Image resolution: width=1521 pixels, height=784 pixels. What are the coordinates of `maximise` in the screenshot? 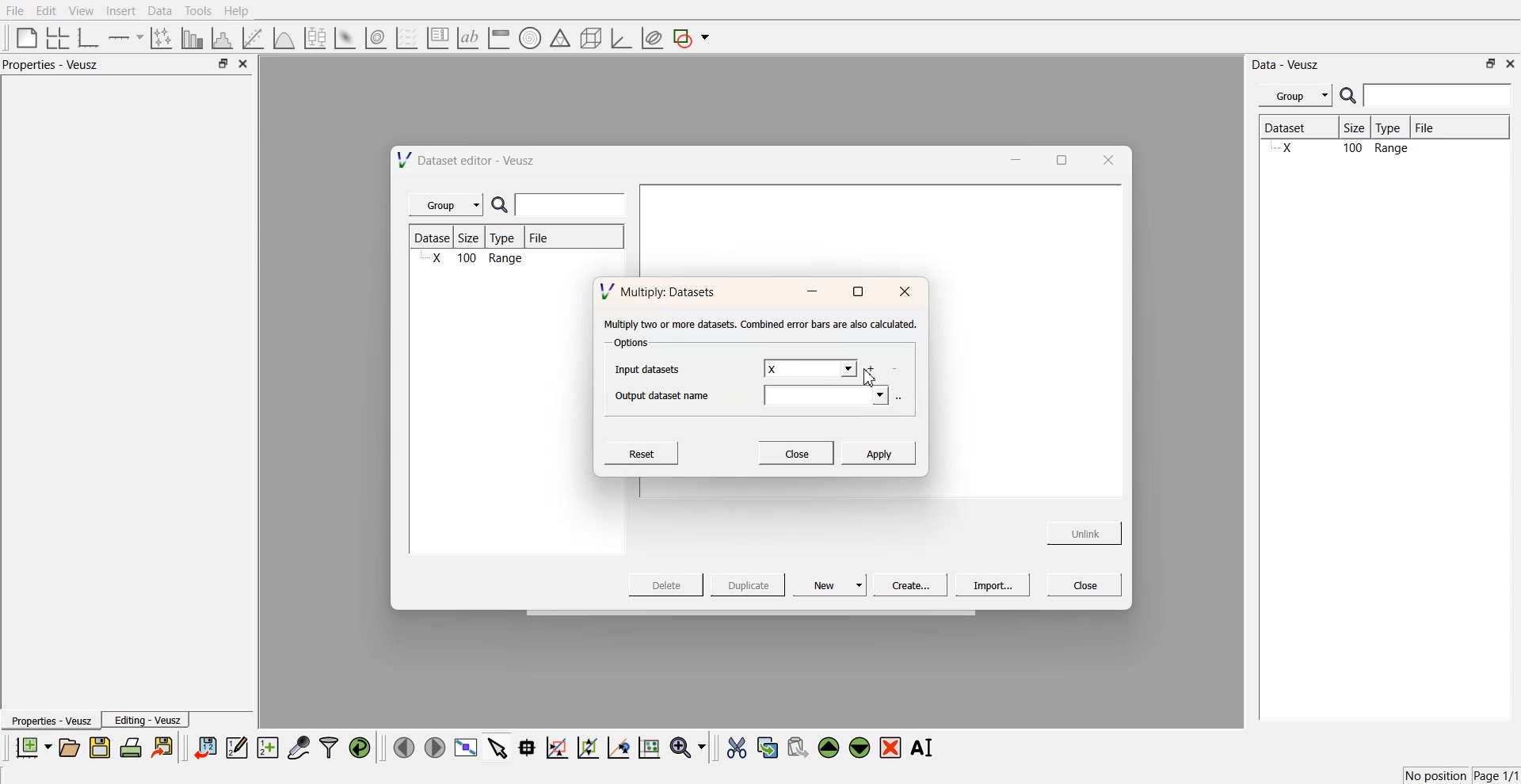 It's located at (1057, 158).